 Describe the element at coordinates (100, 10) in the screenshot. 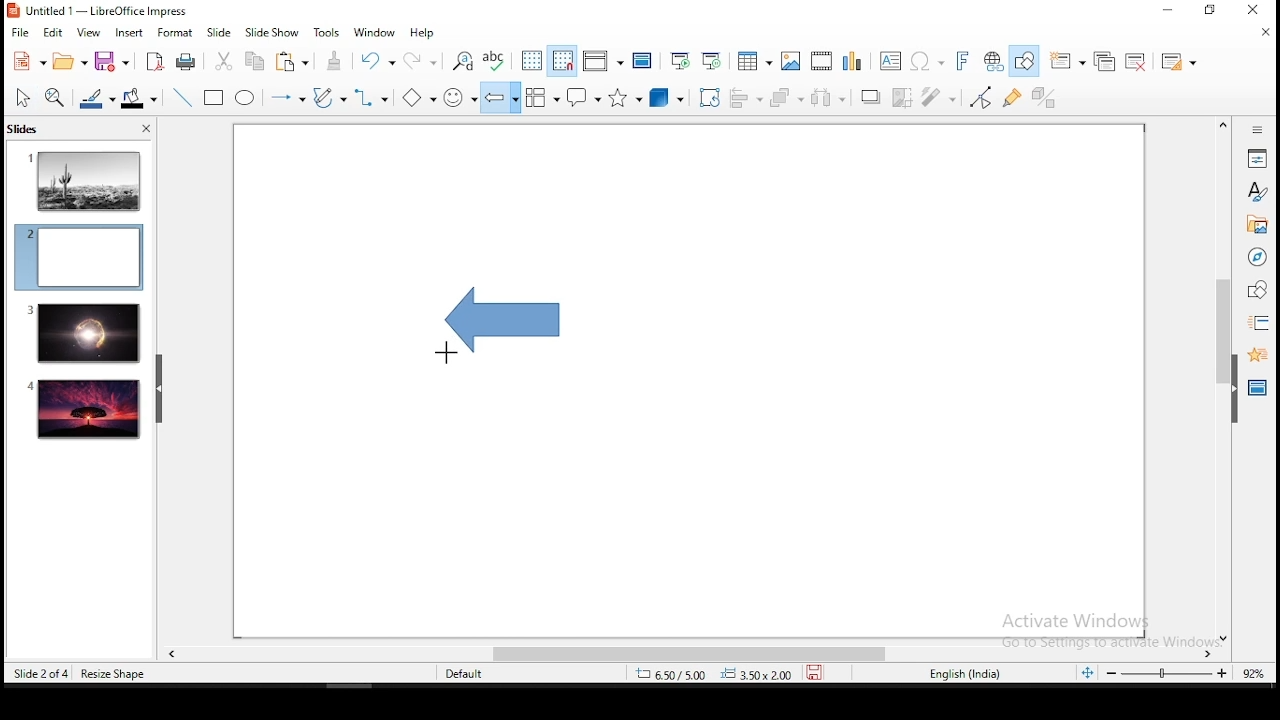

I see `window name` at that location.